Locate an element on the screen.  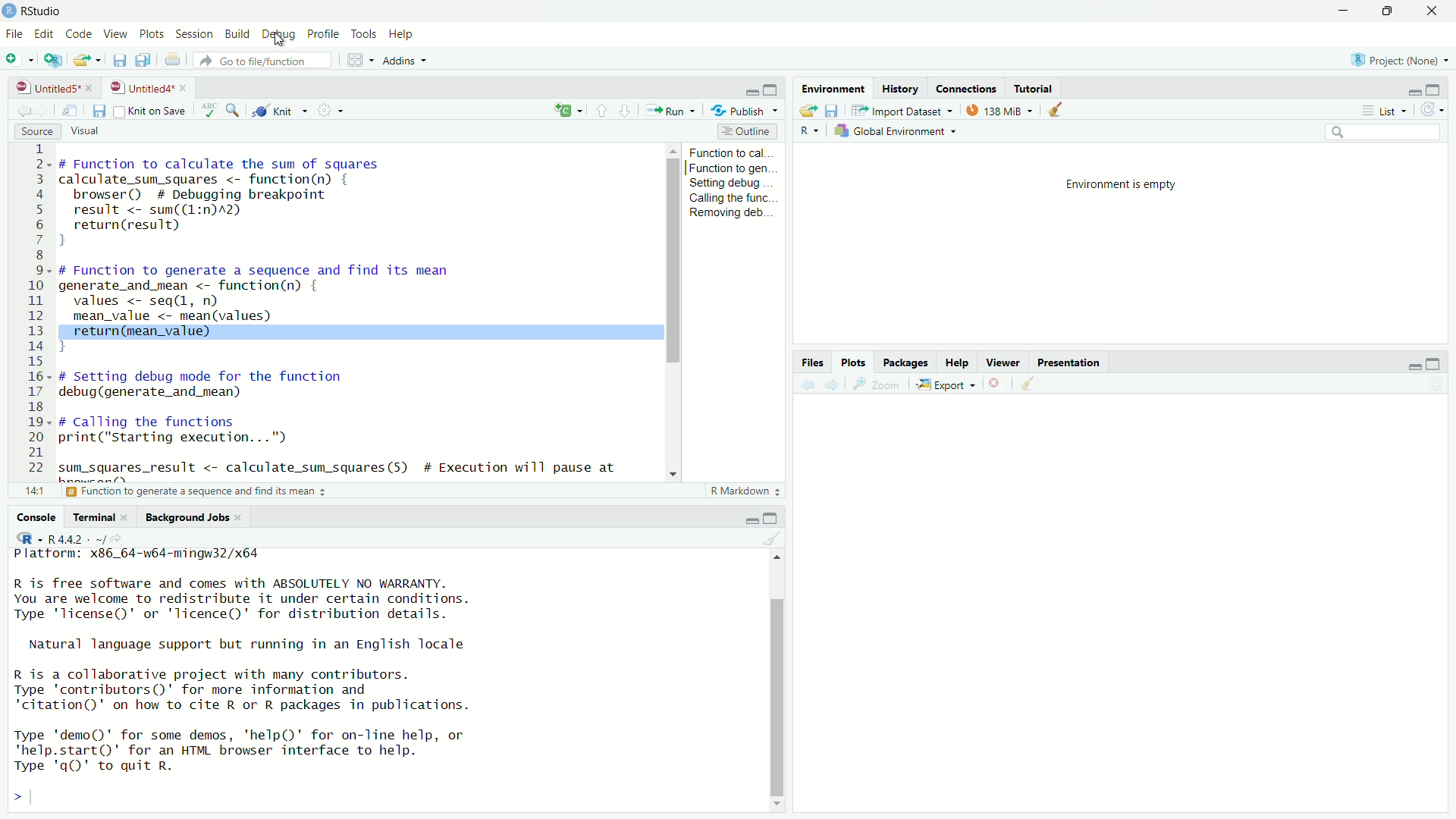
search field is located at coordinates (1382, 133).